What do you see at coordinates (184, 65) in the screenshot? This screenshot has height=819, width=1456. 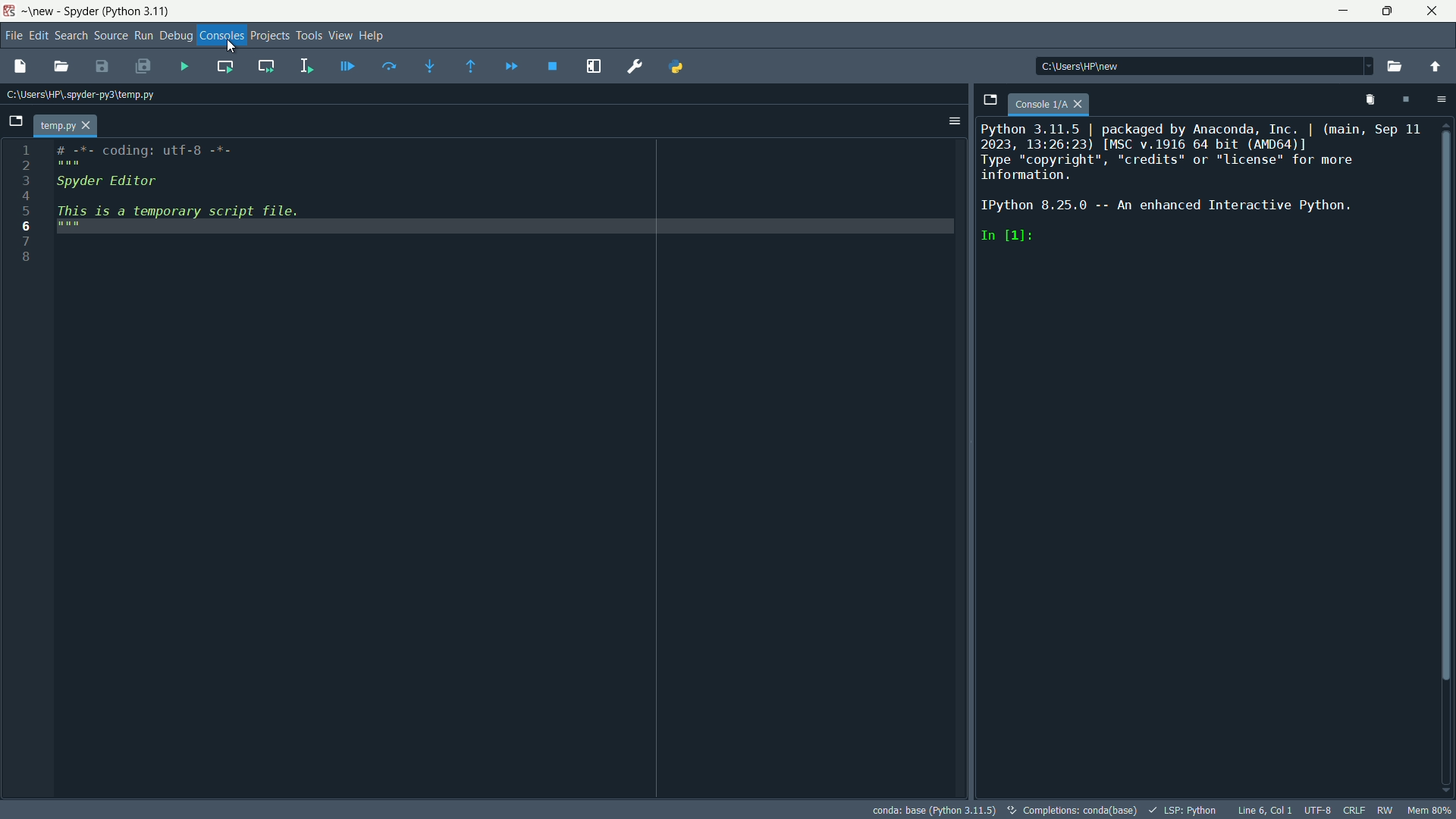 I see `run files` at bounding box center [184, 65].